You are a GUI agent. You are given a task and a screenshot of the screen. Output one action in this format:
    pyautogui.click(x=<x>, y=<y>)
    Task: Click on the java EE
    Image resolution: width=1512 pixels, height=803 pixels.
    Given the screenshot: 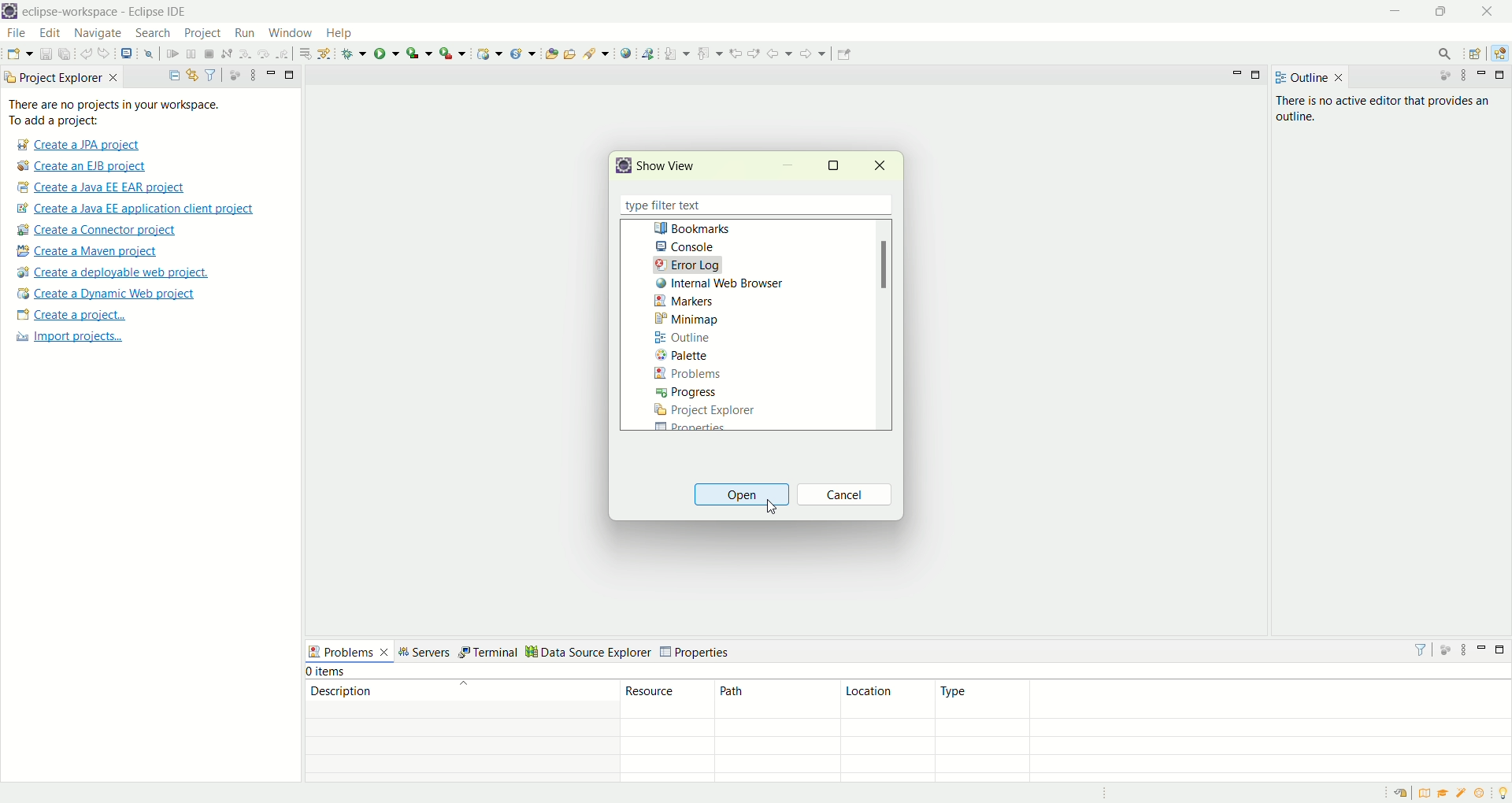 What is the action you would take?
    pyautogui.click(x=1499, y=50)
    